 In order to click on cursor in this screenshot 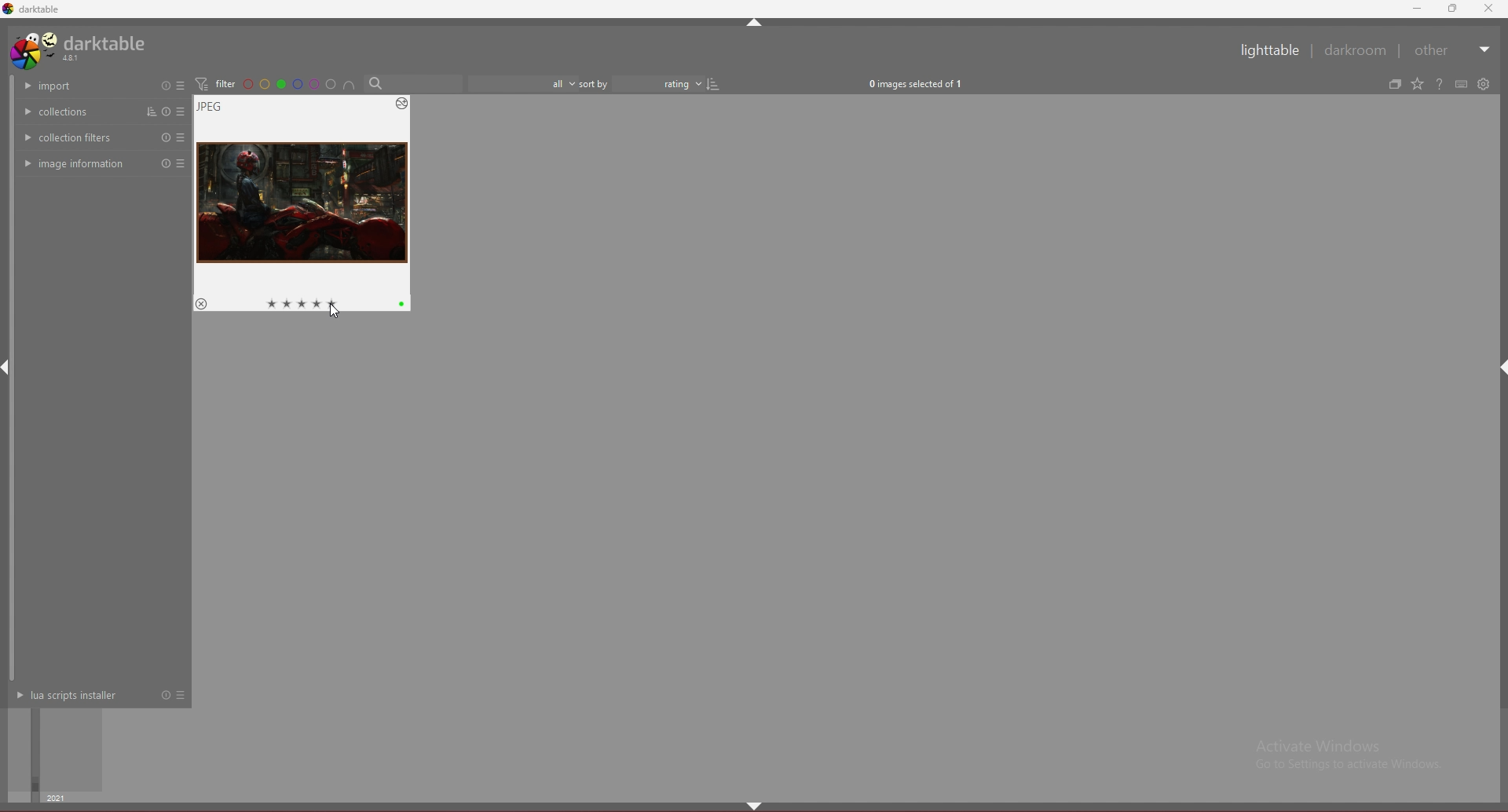, I will do `click(331, 312)`.